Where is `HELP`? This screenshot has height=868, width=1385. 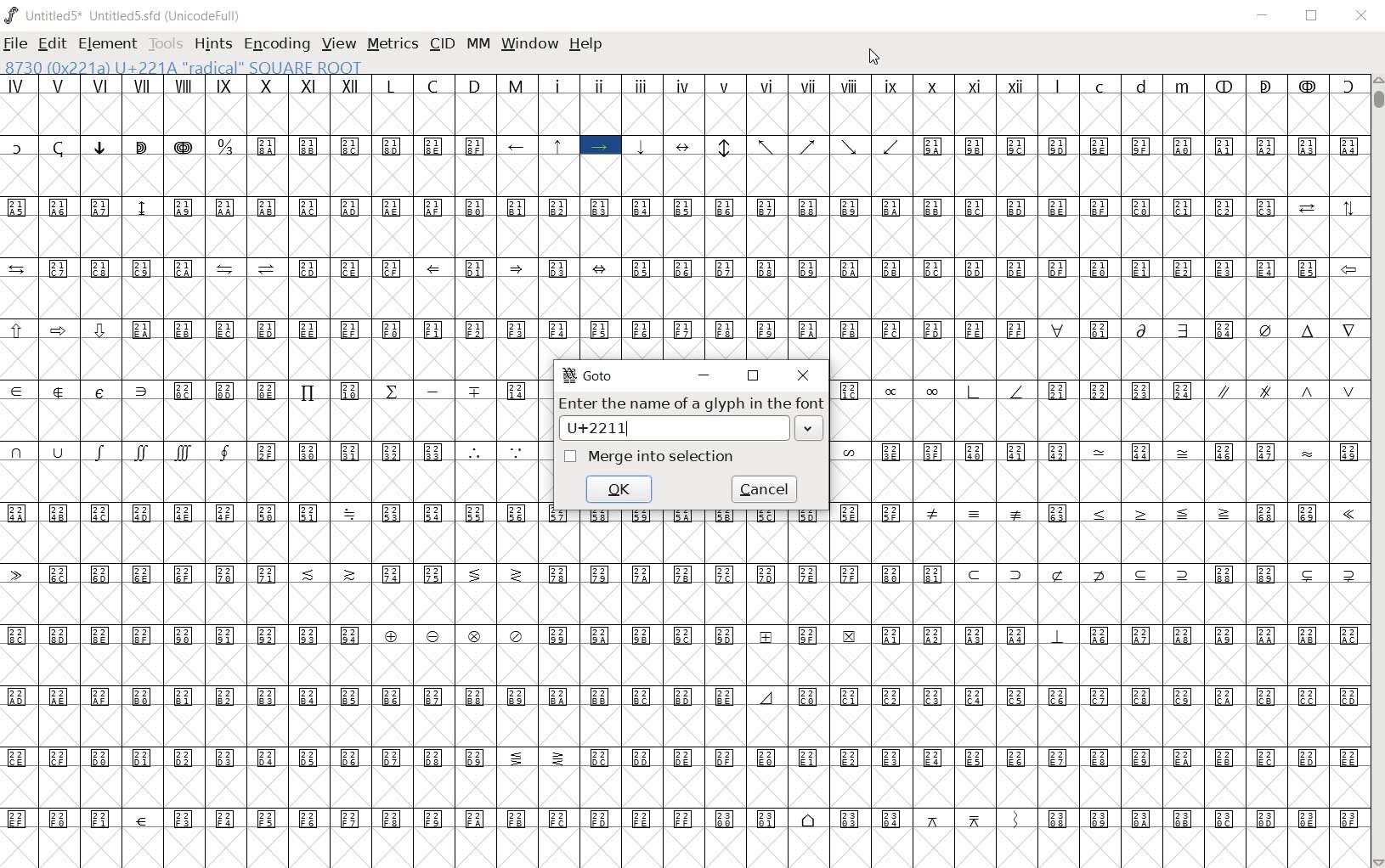
HELP is located at coordinates (589, 46).